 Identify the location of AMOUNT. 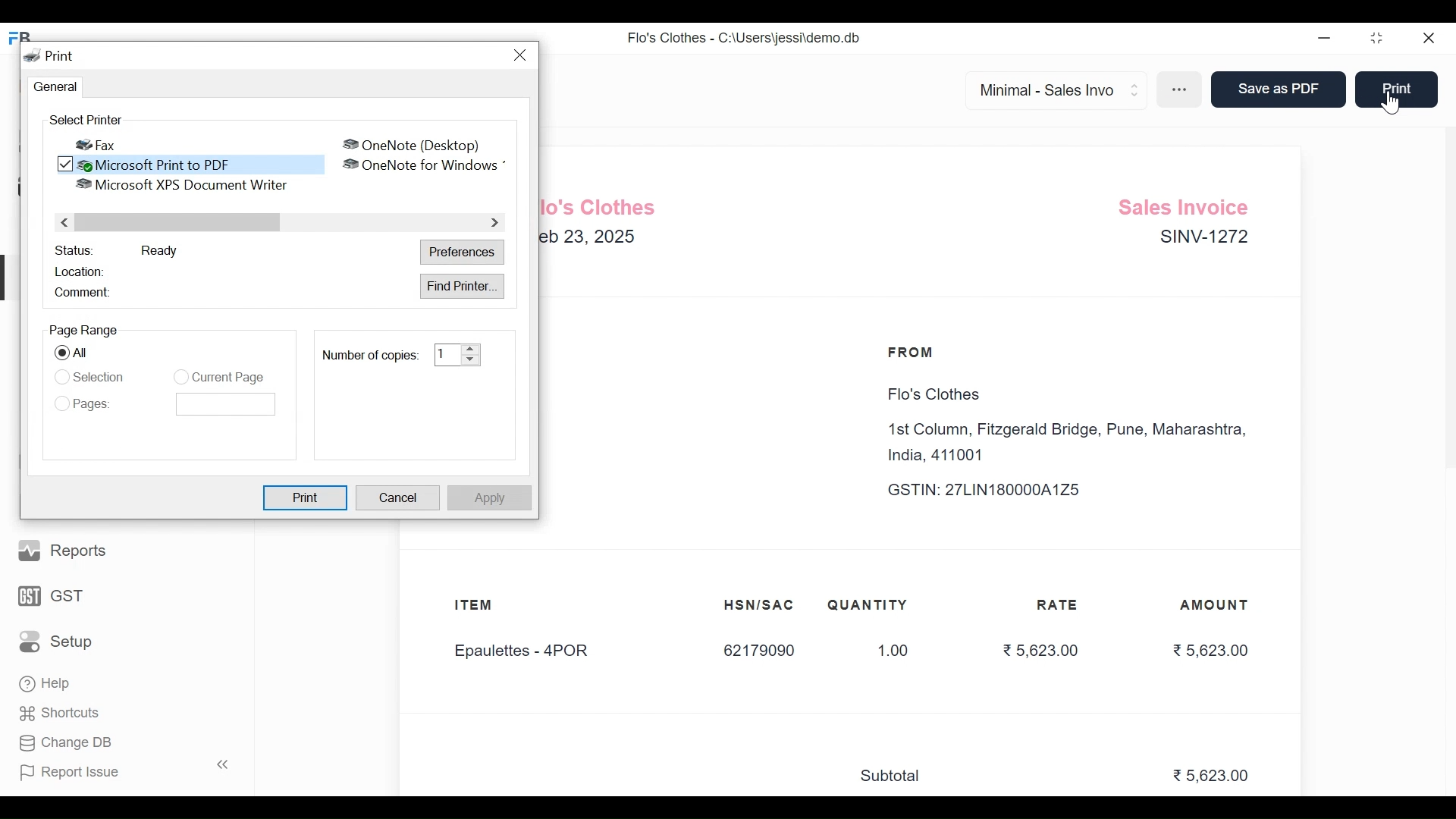
(1216, 606).